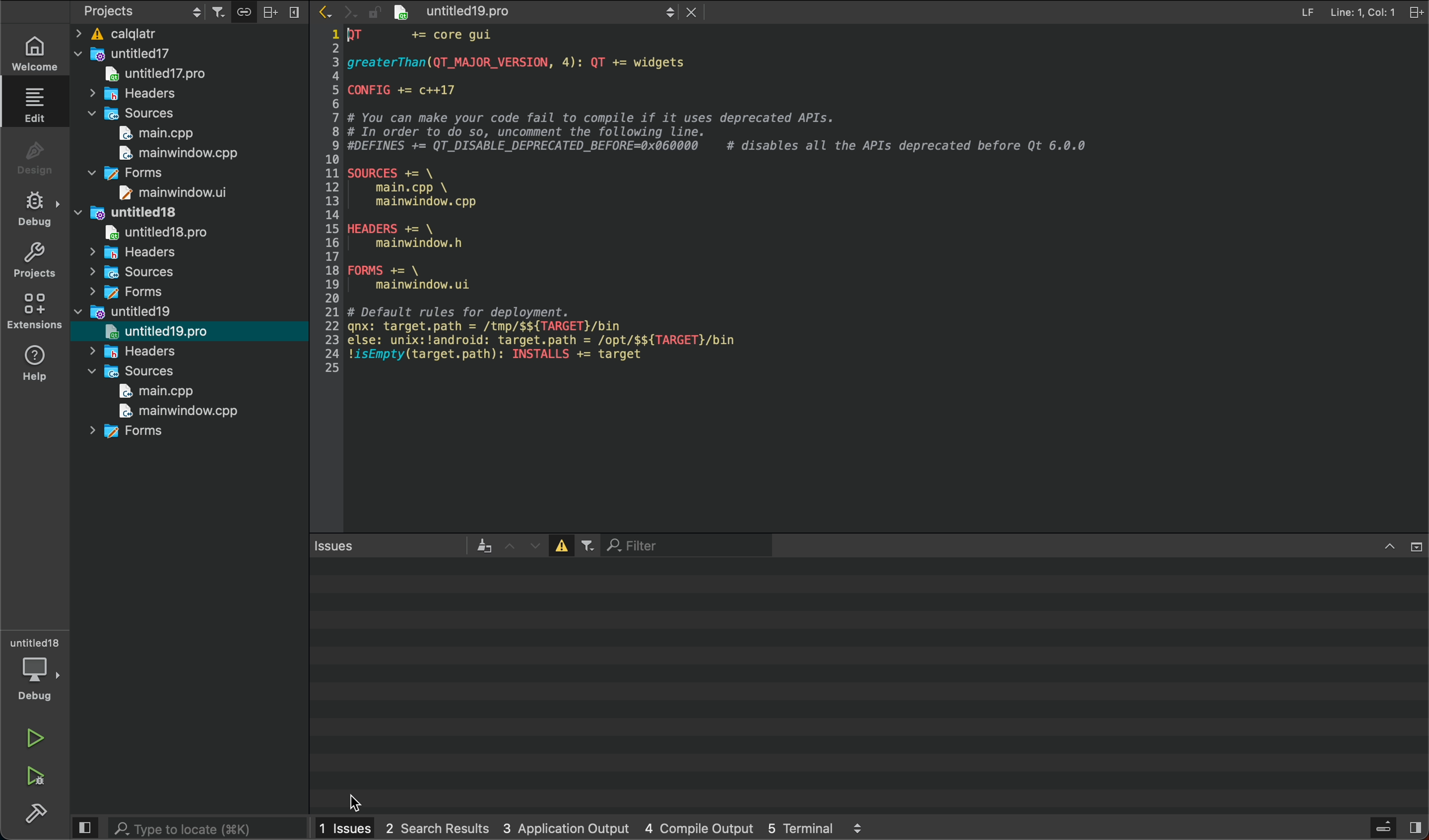  What do you see at coordinates (143, 173) in the screenshot?
I see `forms` at bounding box center [143, 173].